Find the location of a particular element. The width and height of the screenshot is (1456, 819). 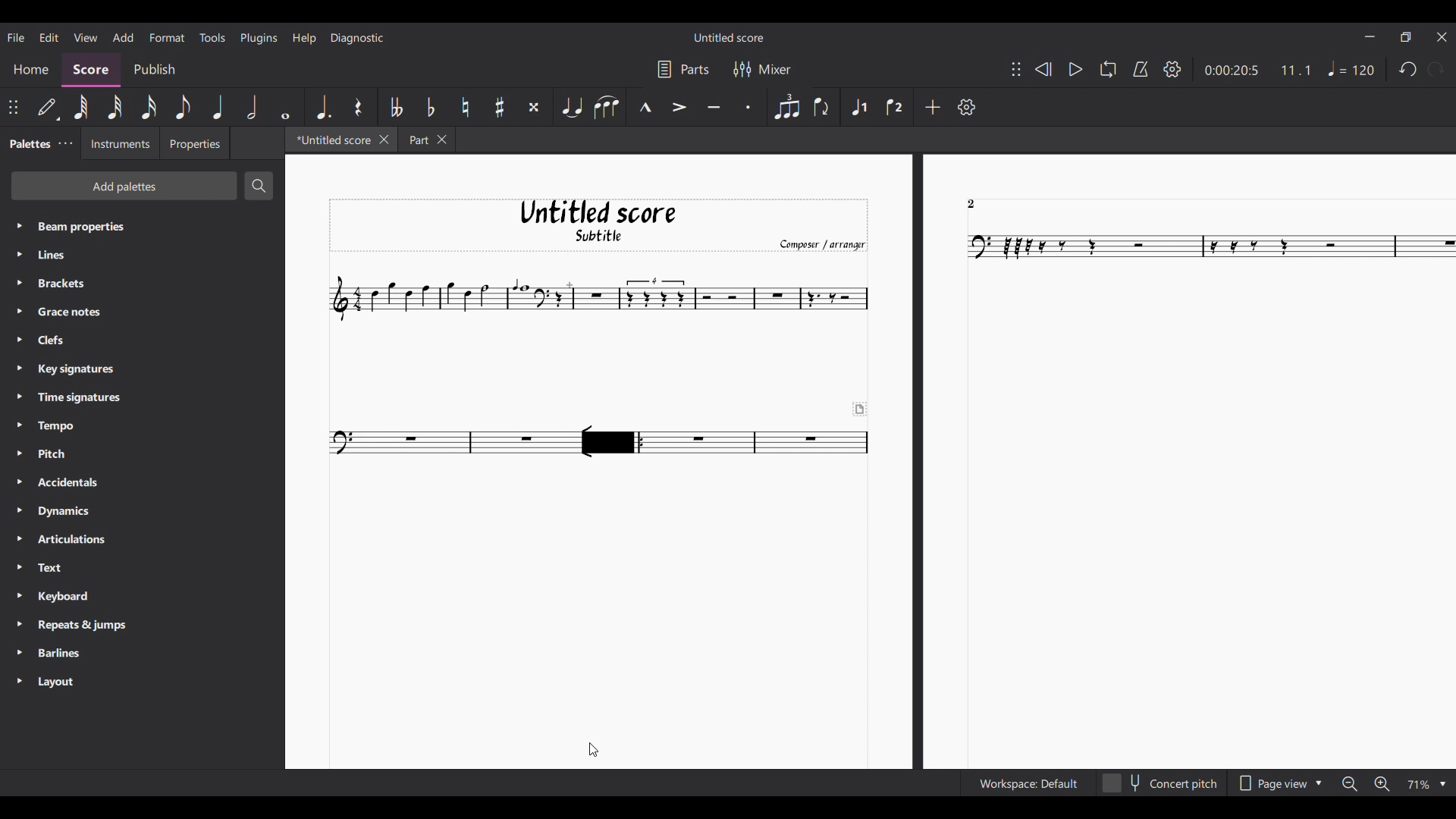

Tuplet is located at coordinates (787, 106).